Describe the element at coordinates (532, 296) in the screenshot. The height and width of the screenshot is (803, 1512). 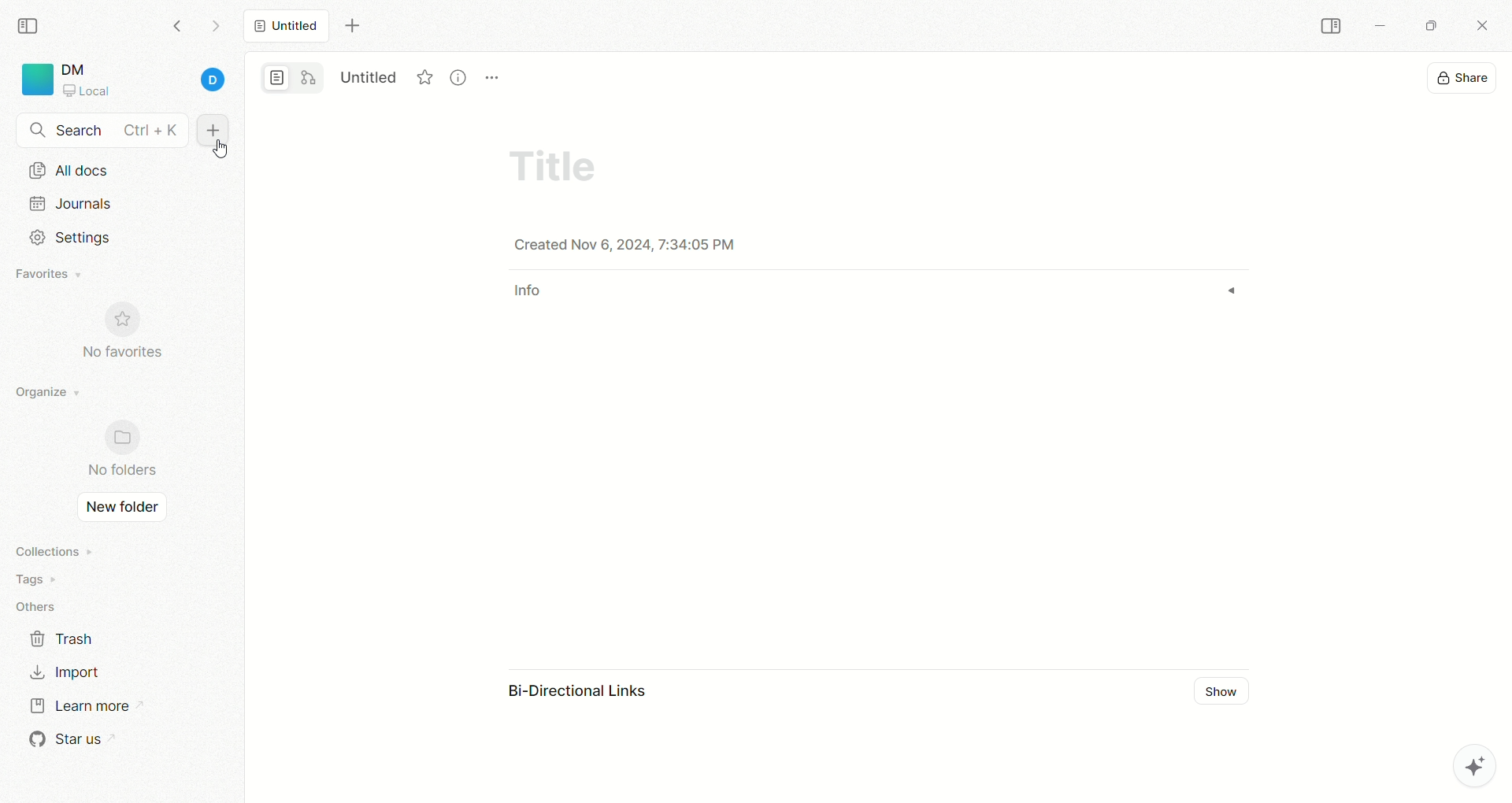
I see `info` at that location.